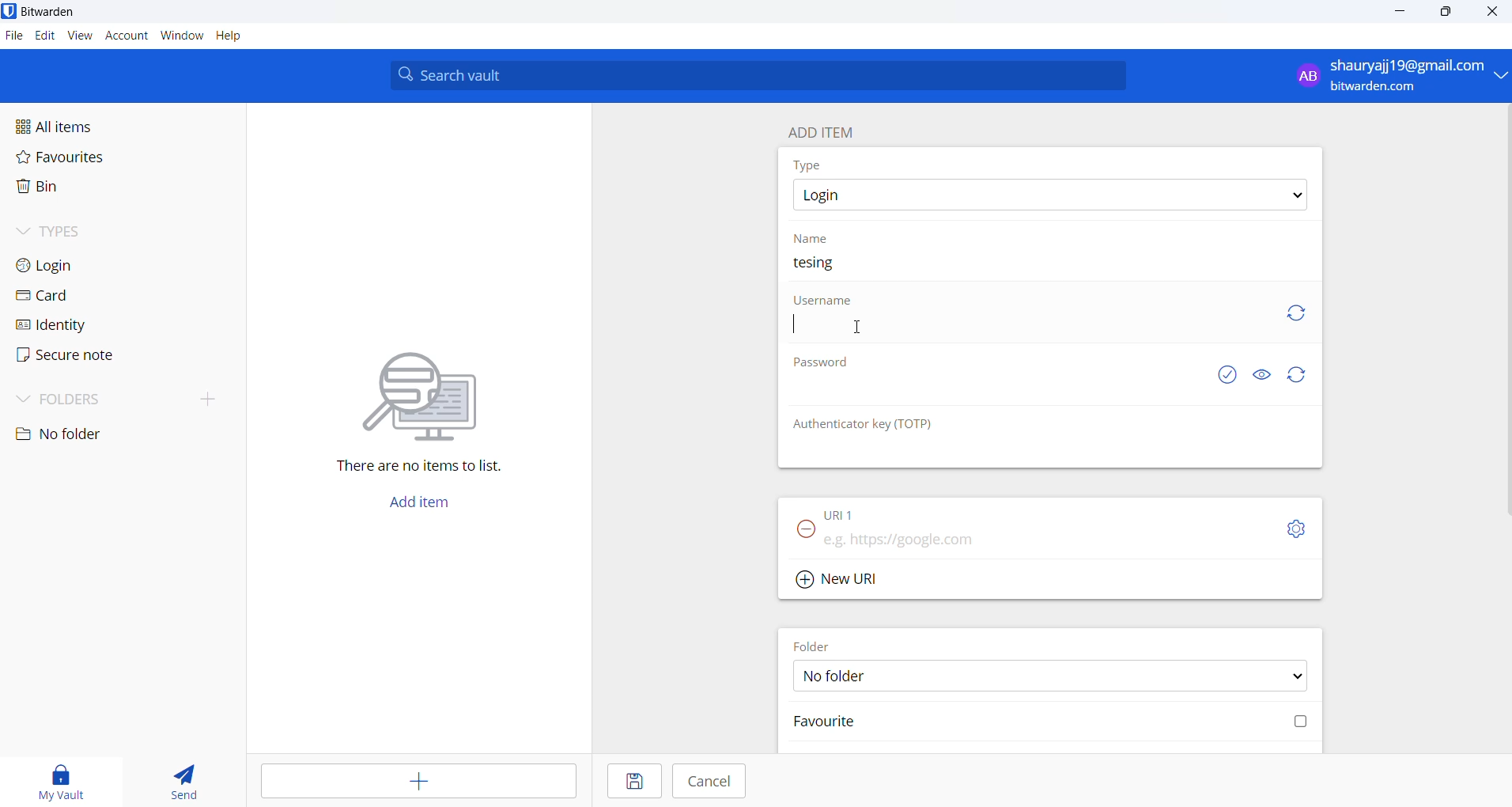 The image size is (1512, 807). I want to click on my vault, so click(55, 779).